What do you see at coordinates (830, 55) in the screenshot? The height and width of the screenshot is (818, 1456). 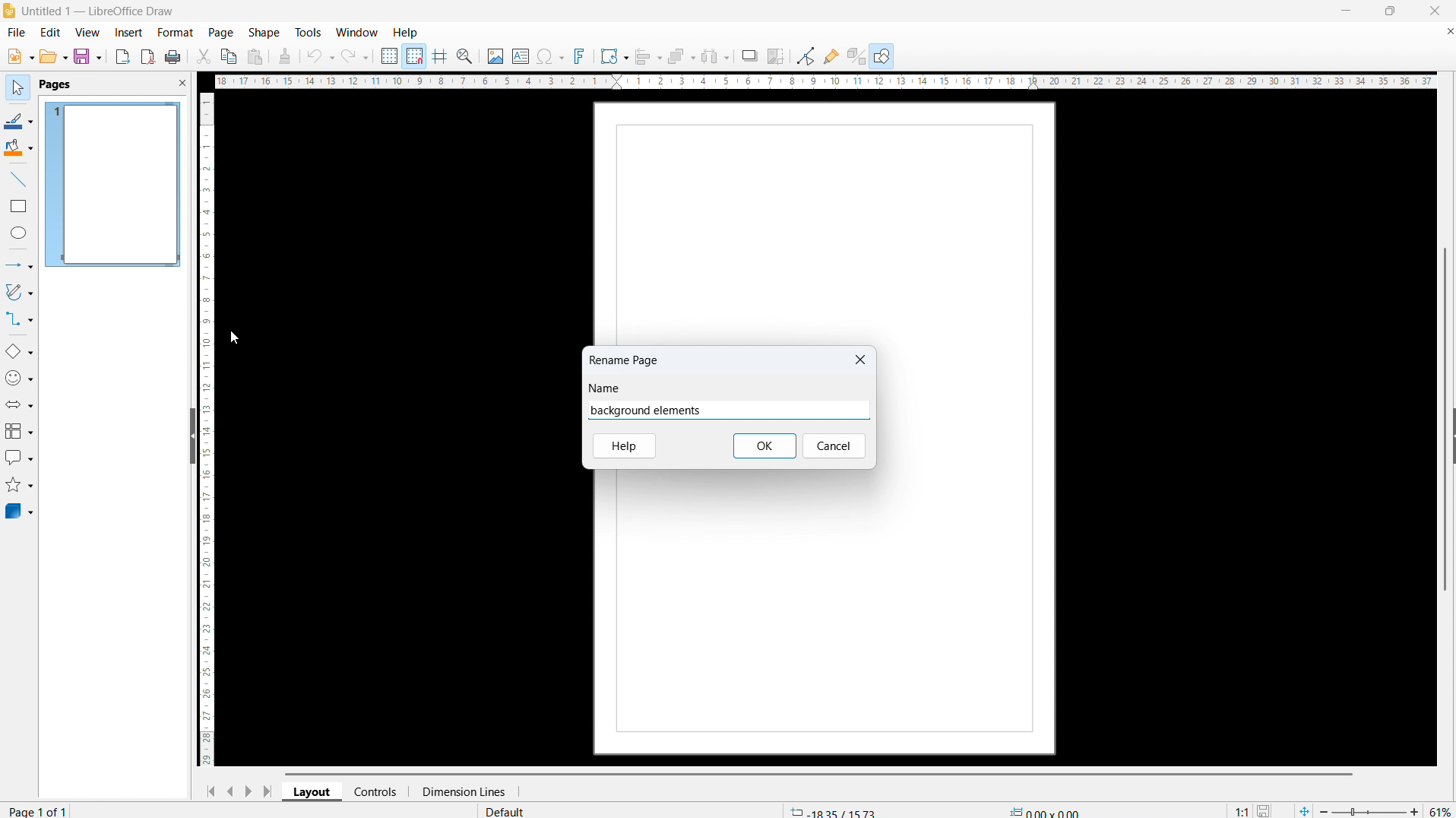 I see `show gluepoint functions` at bounding box center [830, 55].